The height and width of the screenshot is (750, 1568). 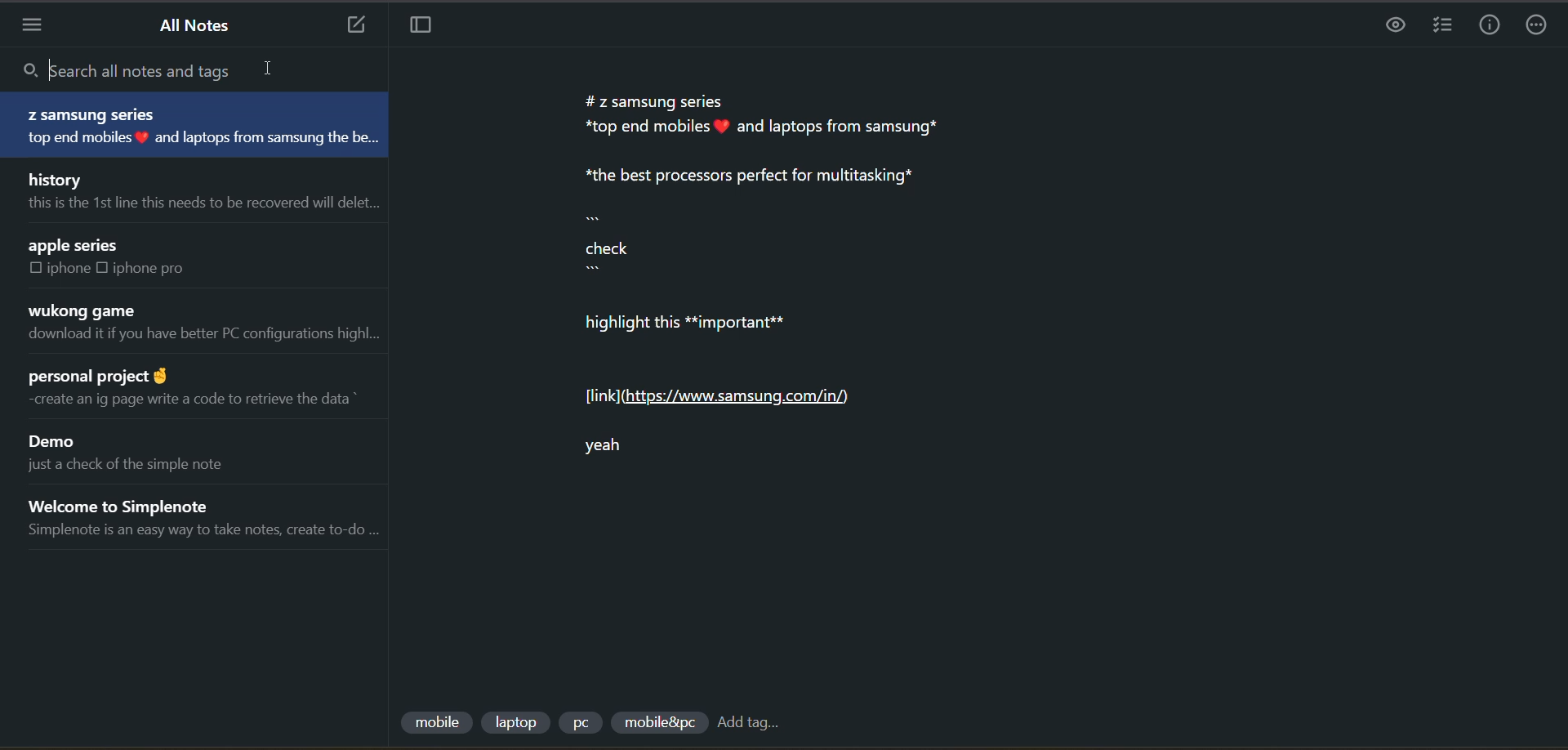 What do you see at coordinates (426, 29) in the screenshot?
I see `toggle focus mode` at bounding box center [426, 29].